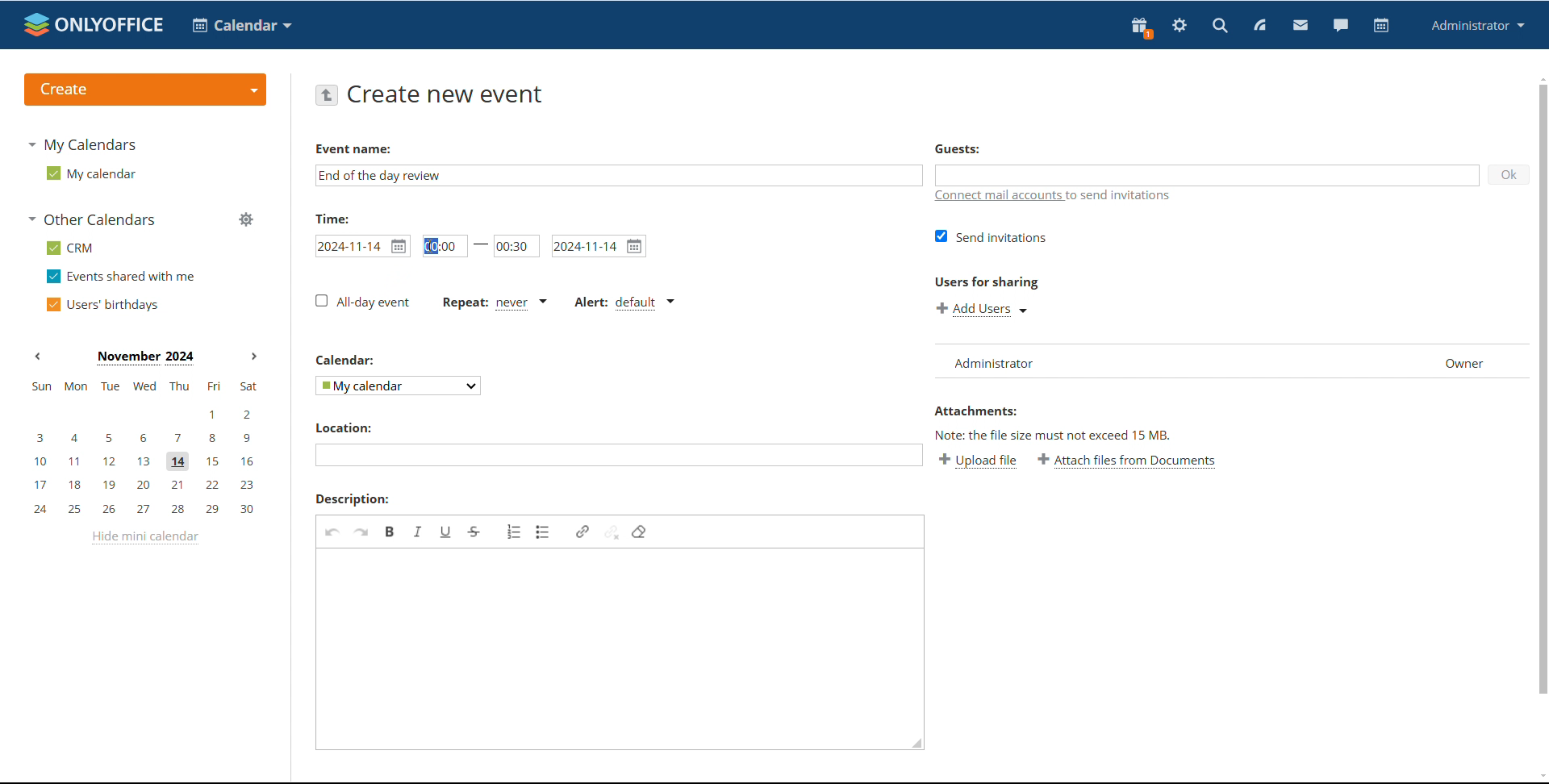 The width and height of the screenshot is (1549, 784). Describe the element at coordinates (1478, 25) in the screenshot. I see `profile` at that location.